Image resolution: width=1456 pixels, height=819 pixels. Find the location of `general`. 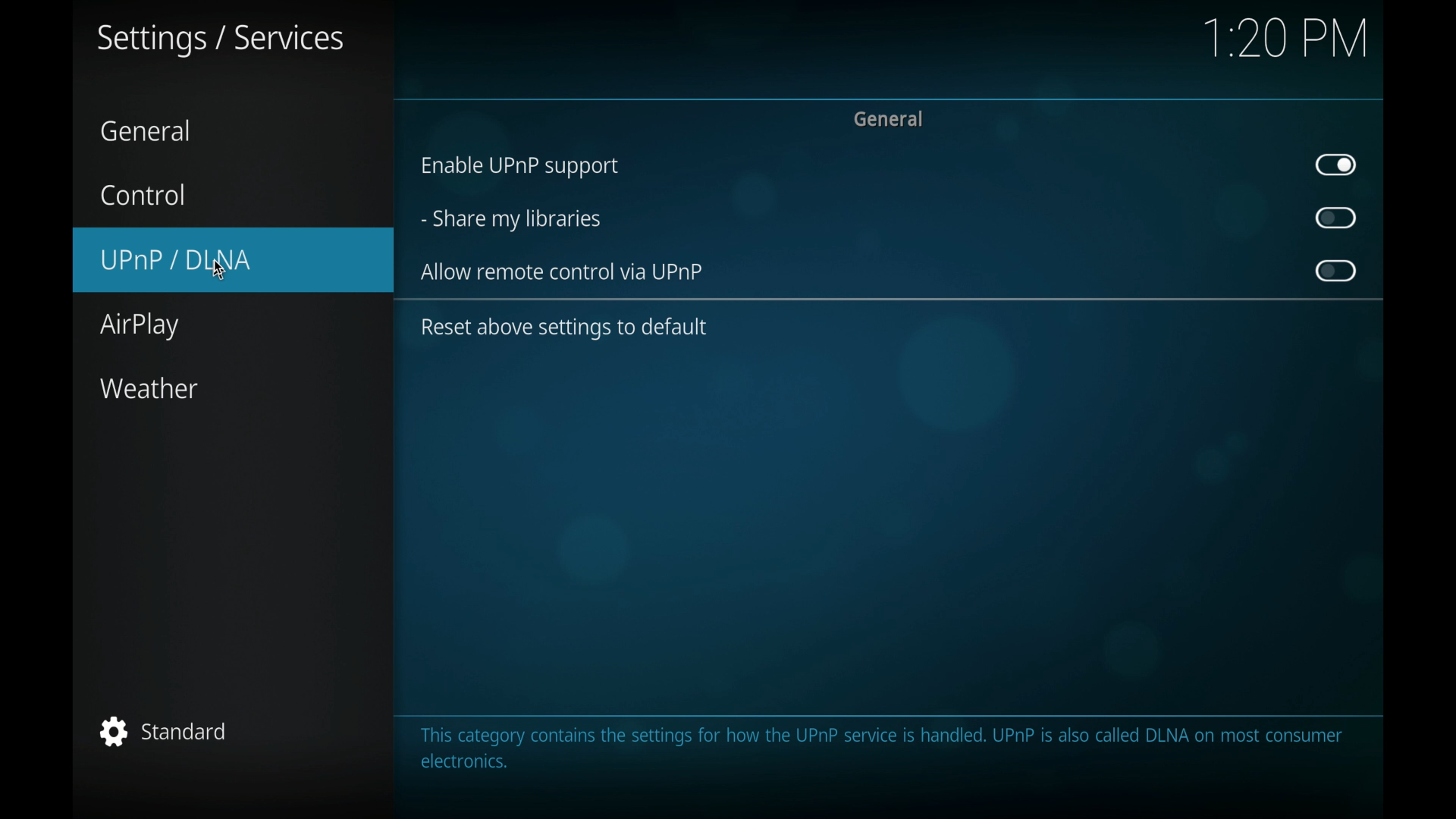

general is located at coordinates (887, 118).